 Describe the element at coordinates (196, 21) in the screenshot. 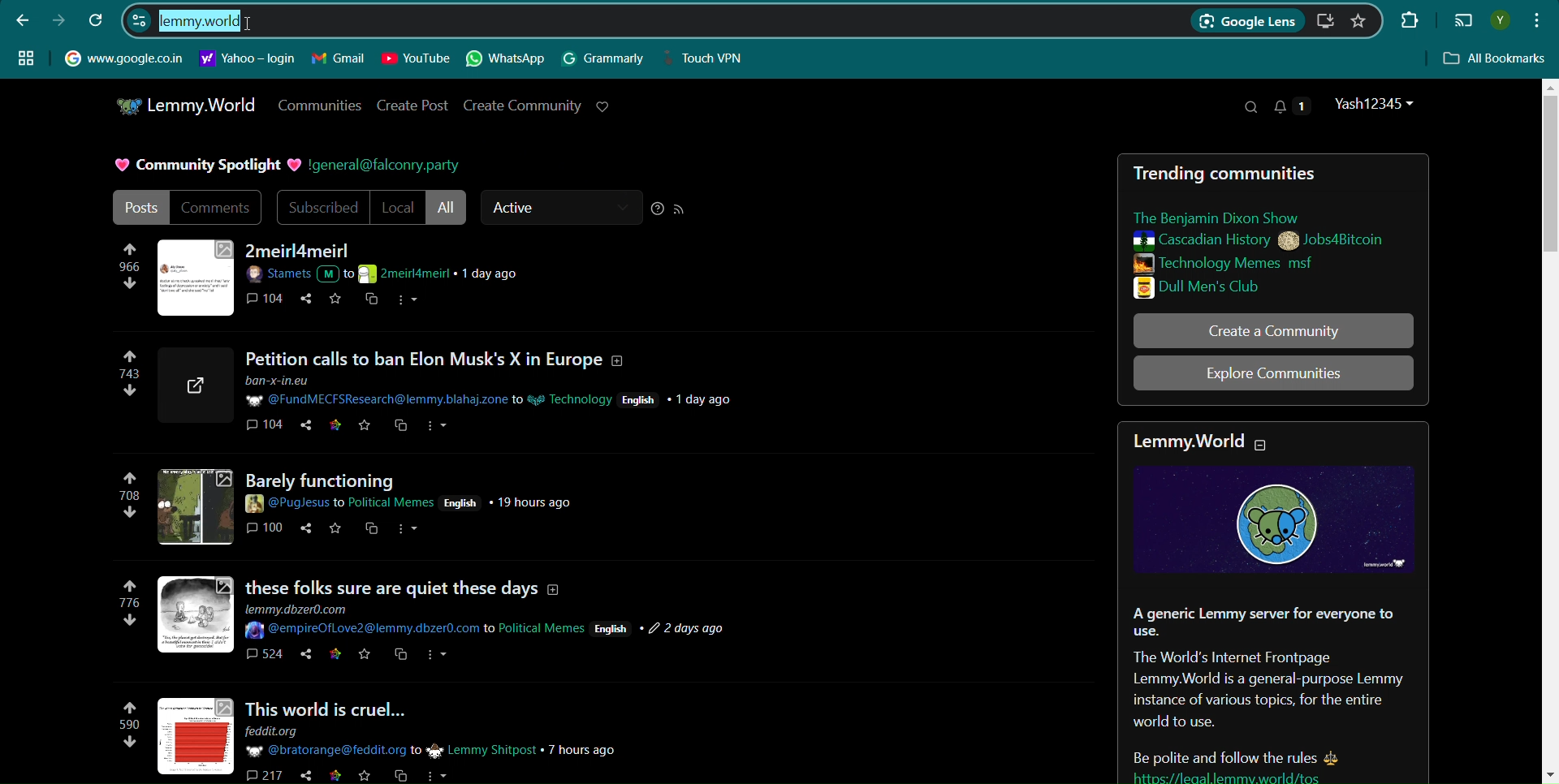

I see `Text Selected` at that location.